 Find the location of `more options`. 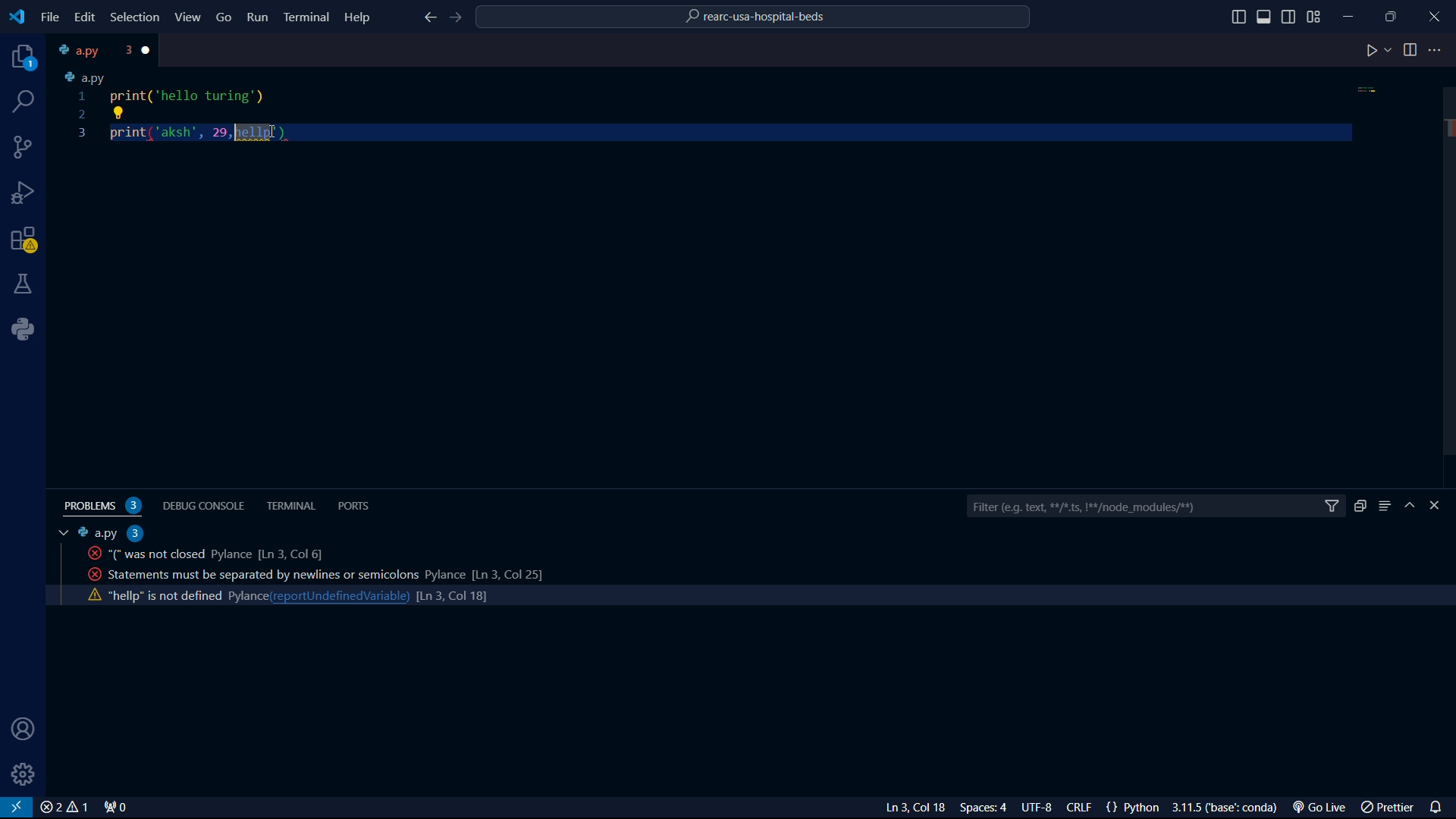

more options is located at coordinates (1437, 50).